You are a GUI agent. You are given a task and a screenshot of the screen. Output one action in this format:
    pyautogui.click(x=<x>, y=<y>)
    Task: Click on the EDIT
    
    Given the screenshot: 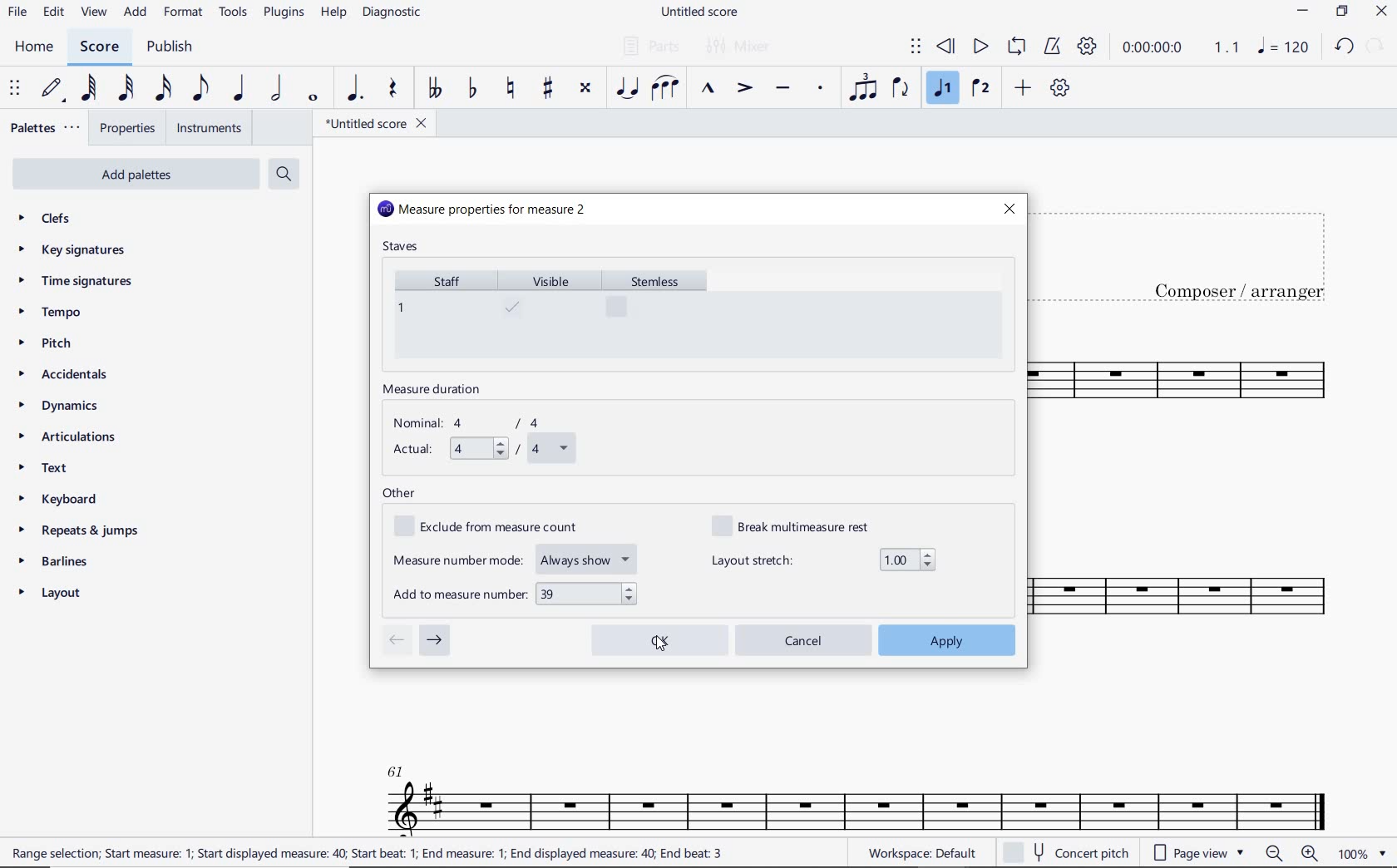 What is the action you would take?
    pyautogui.click(x=53, y=14)
    